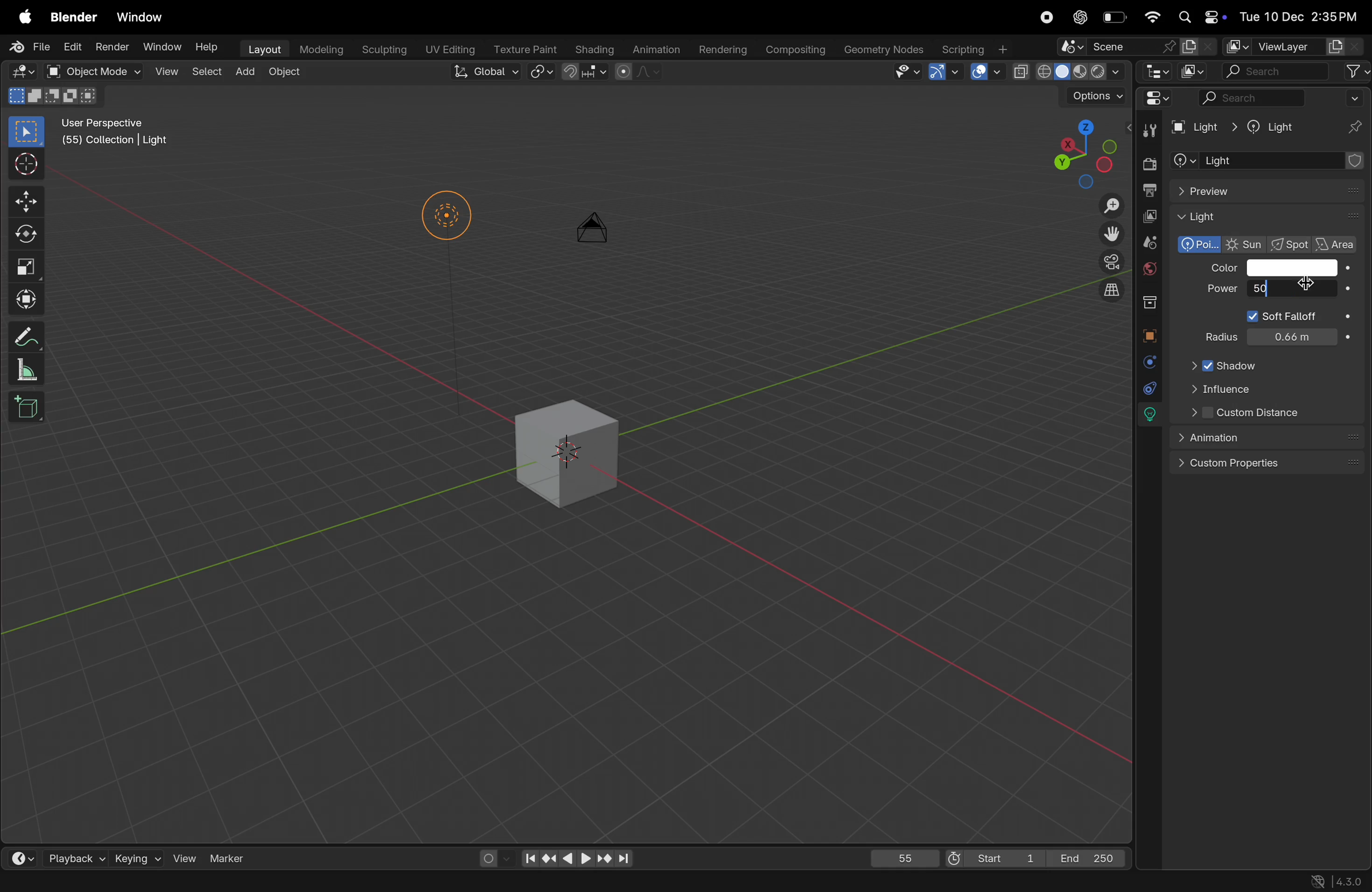 Image resolution: width=1372 pixels, height=892 pixels. Describe the element at coordinates (383, 48) in the screenshot. I see `sculptiong` at that location.